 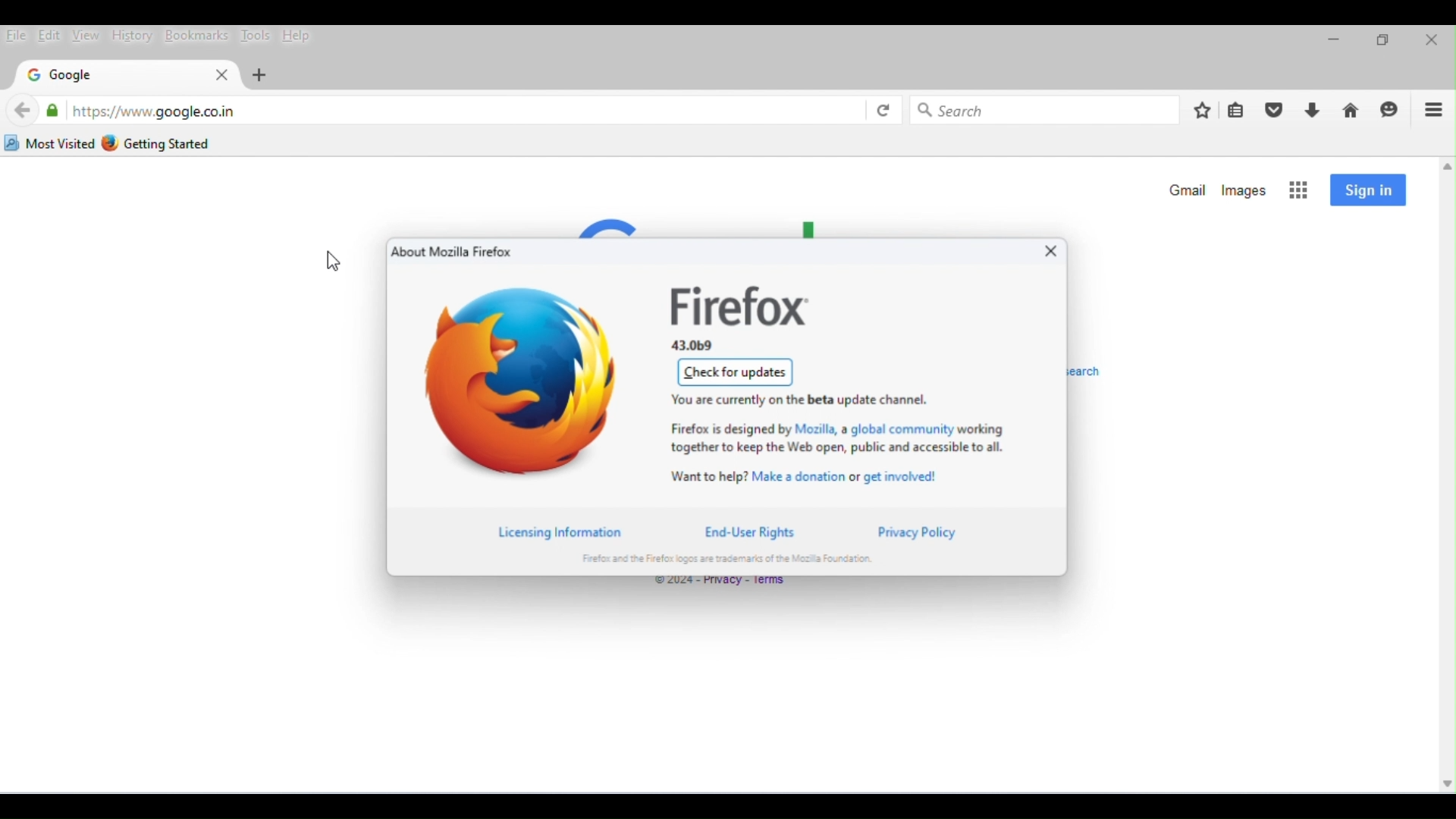 I want to click on firefox and firefox logos are trademarks of mozilla foundation, so click(x=729, y=559).